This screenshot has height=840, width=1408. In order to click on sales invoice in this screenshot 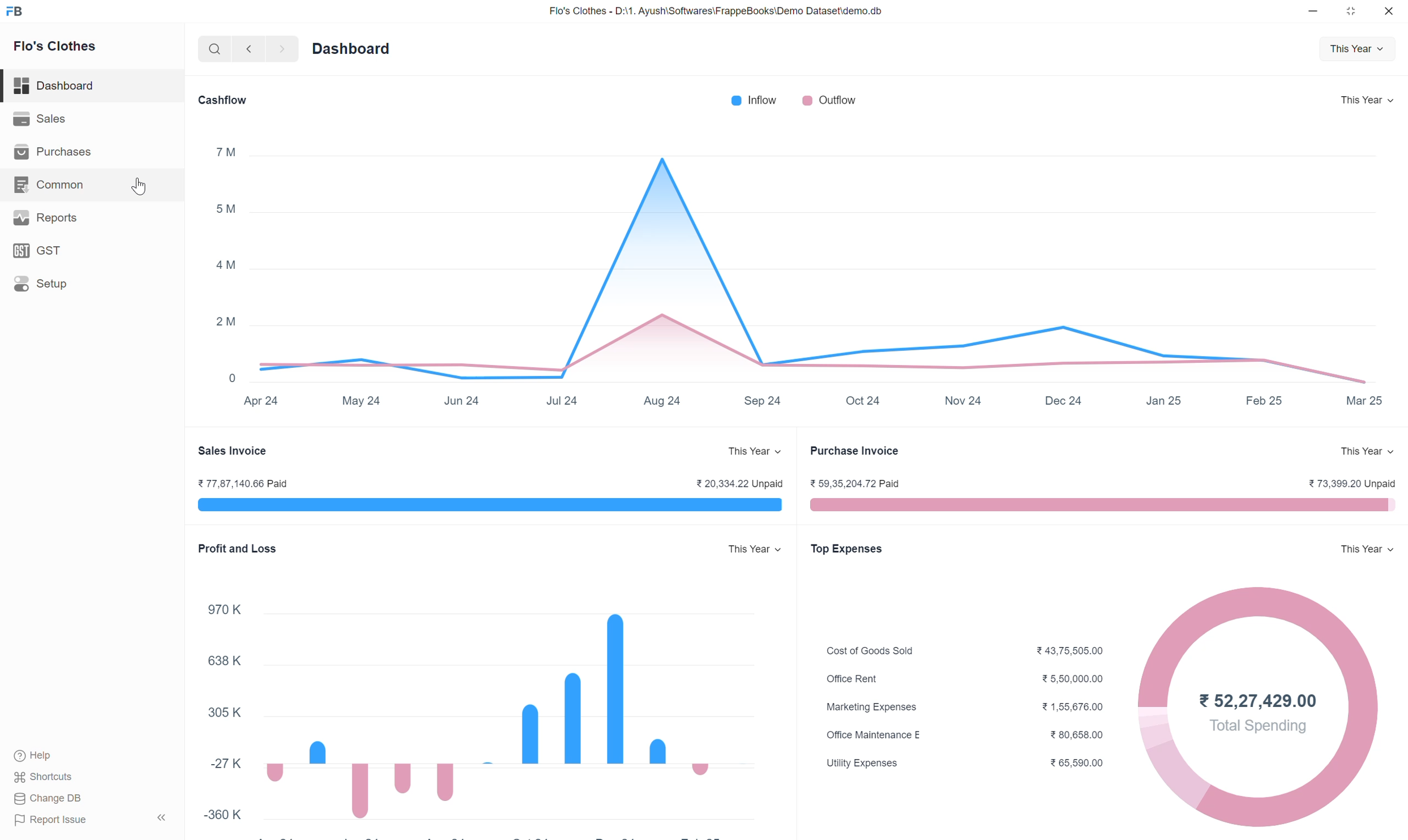, I will do `click(243, 451)`.